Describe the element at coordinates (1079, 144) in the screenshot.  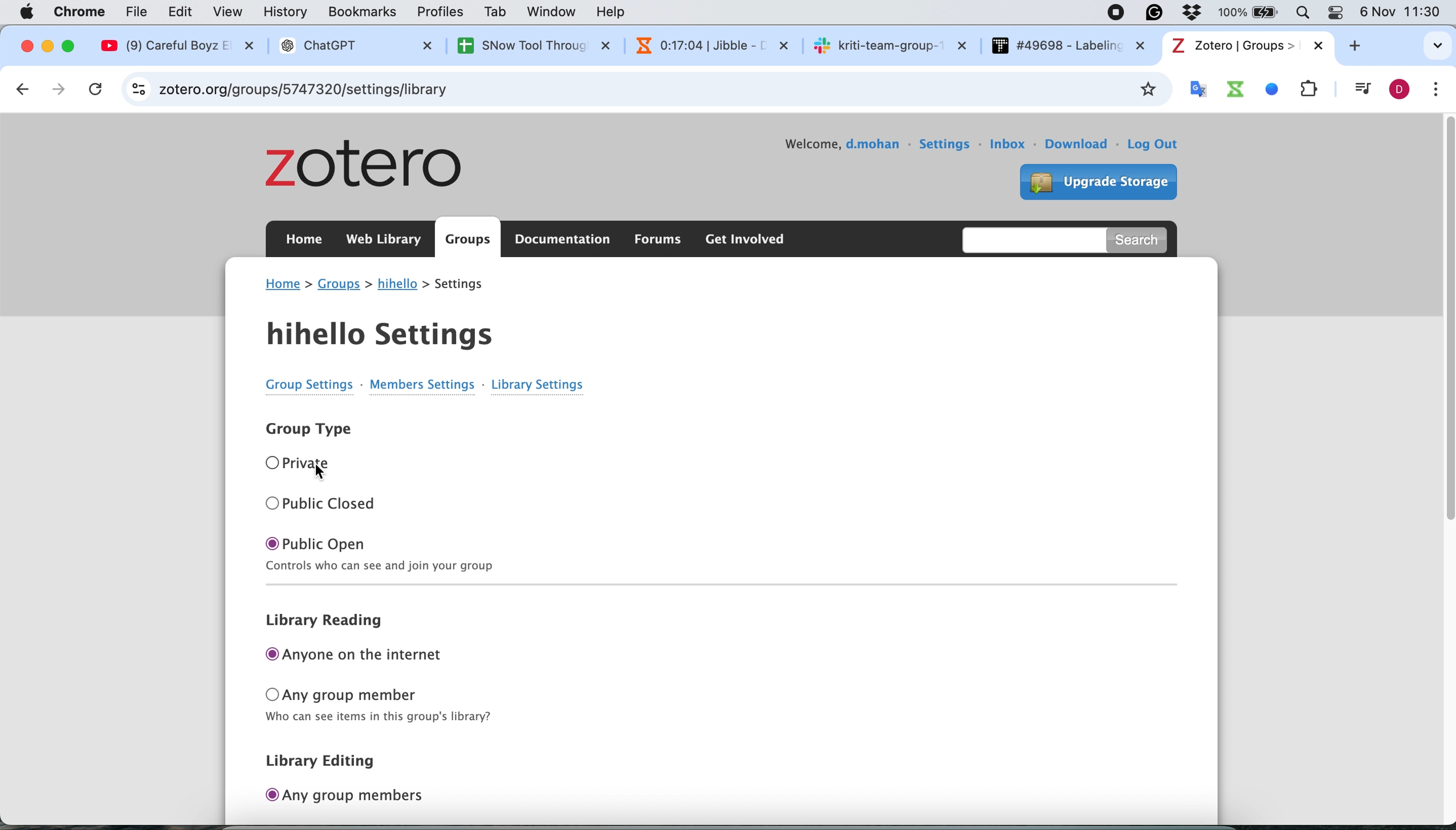
I see `download` at that location.